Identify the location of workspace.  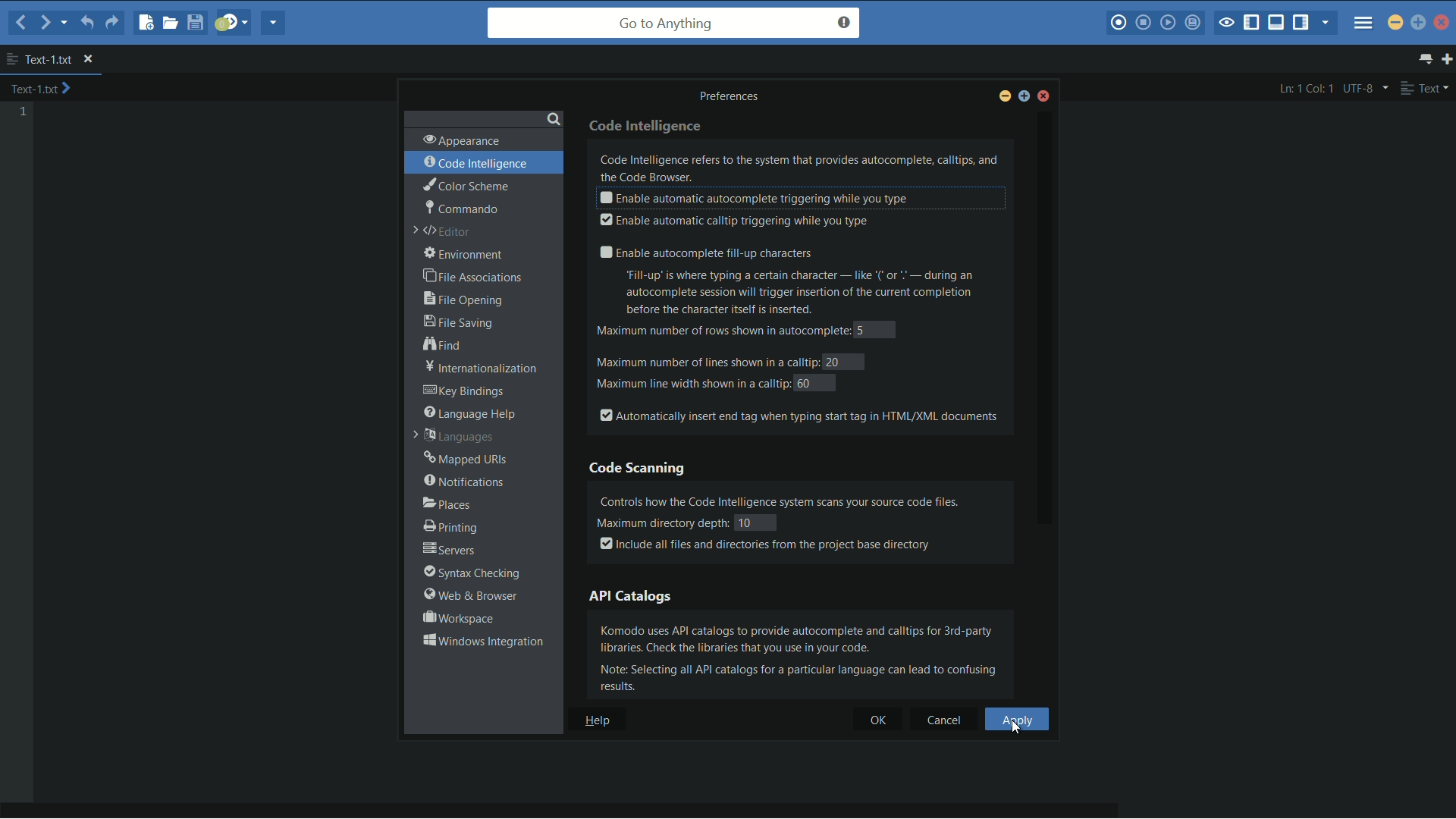
(457, 618).